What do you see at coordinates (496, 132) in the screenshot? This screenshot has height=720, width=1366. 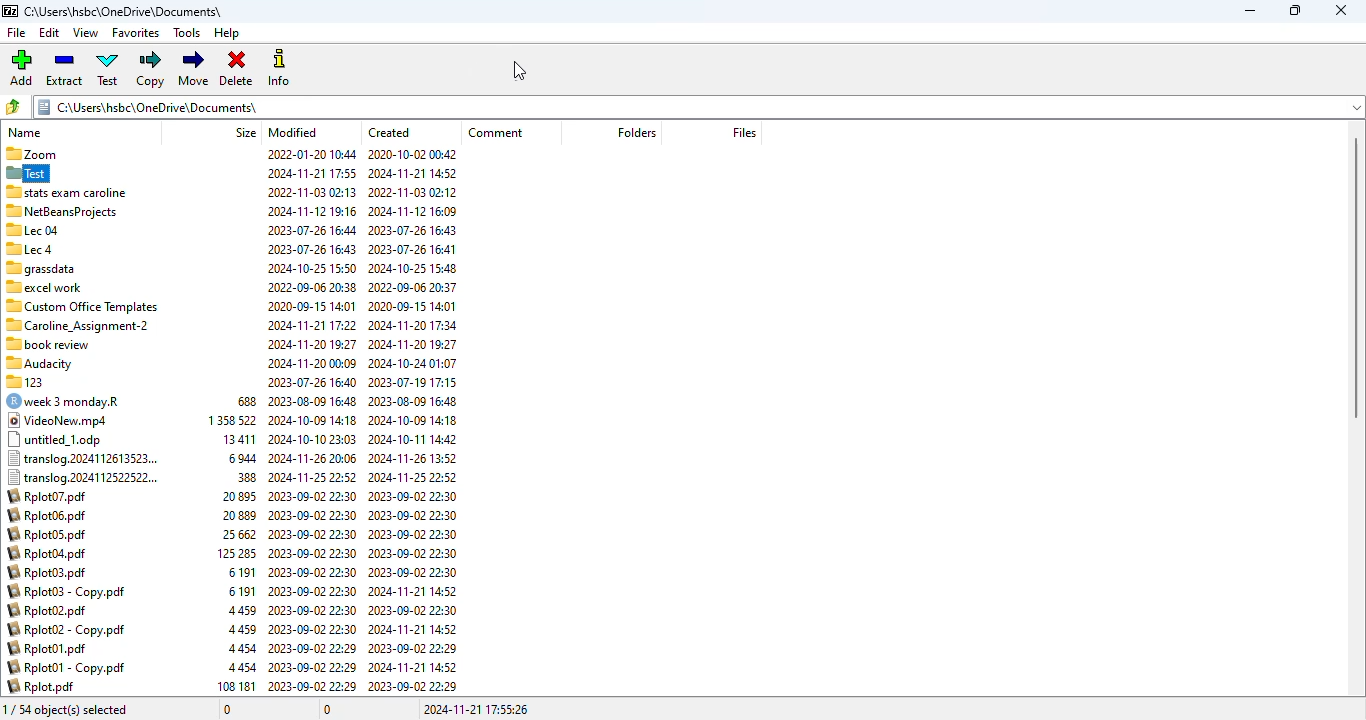 I see `comment` at bounding box center [496, 132].